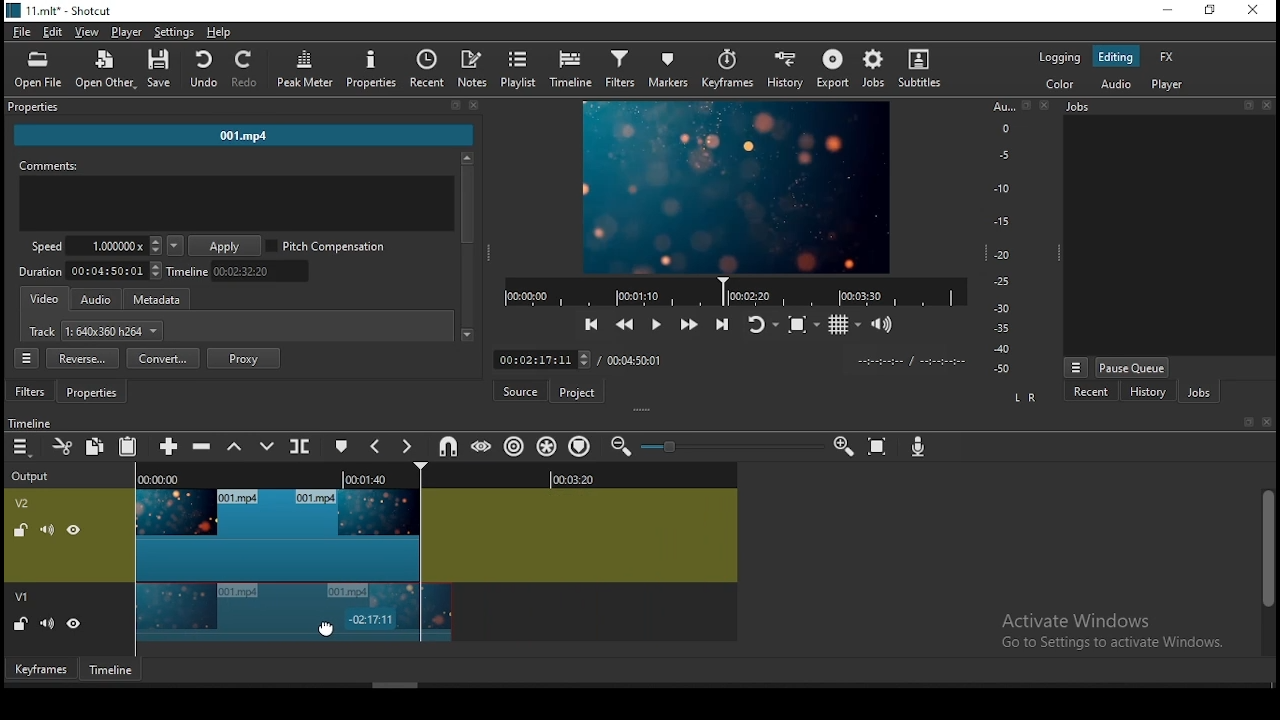  What do you see at coordinates (96, 300) in the screenshot?
I see `audio` at bounding box center [96, 300].